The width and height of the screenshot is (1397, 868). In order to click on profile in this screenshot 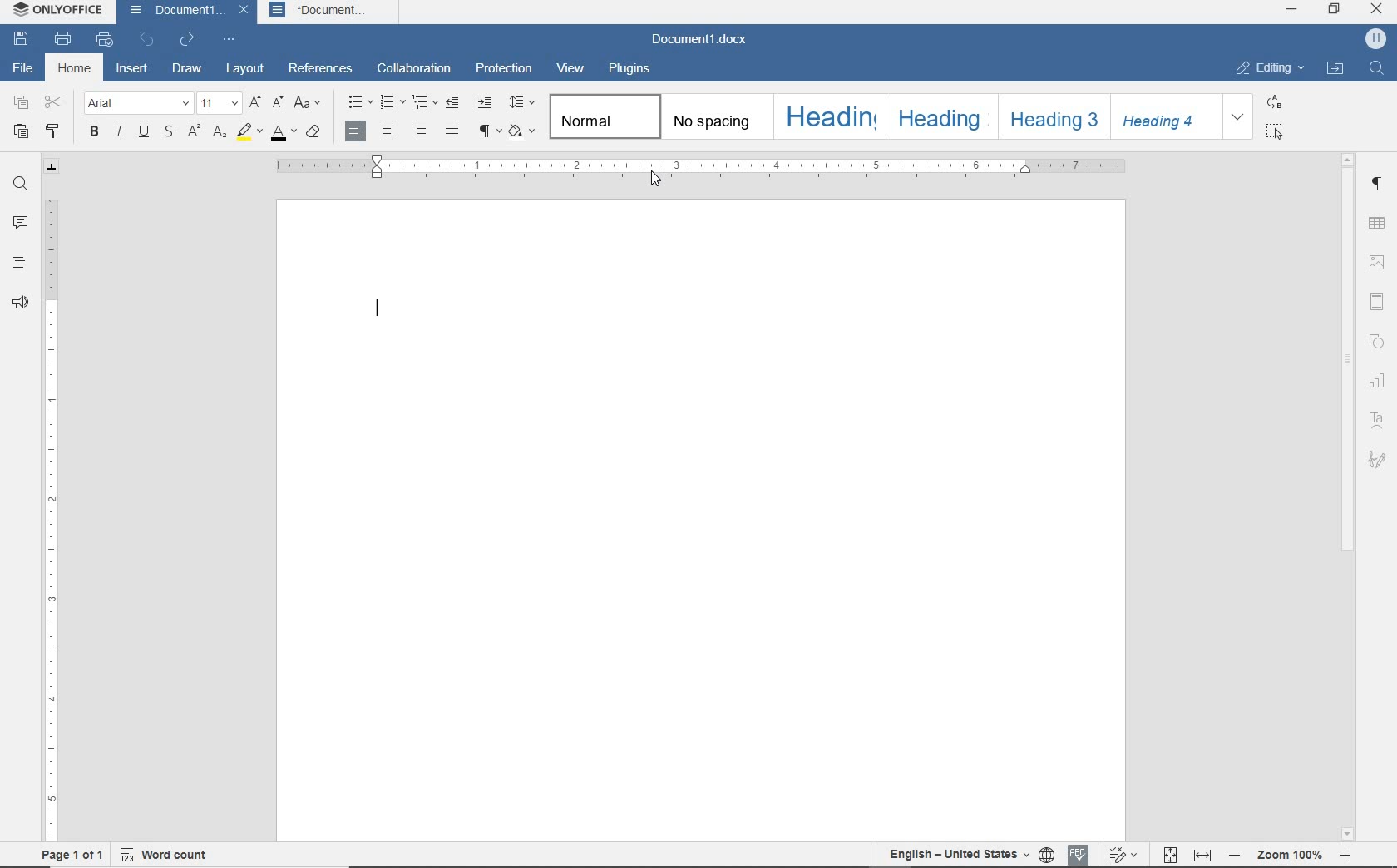, I will do `click(1374, 37)`.